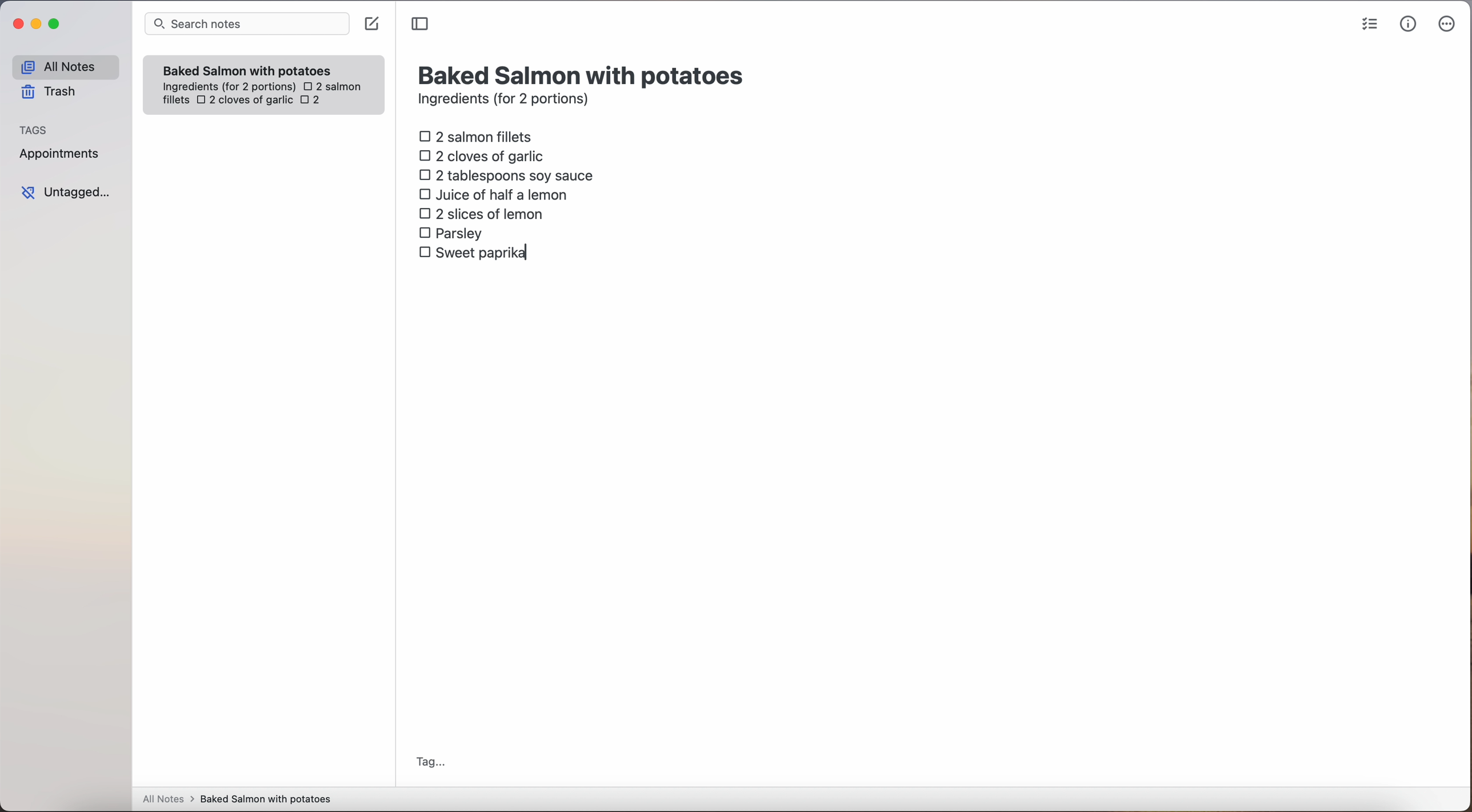  What do you see at coordinates (507, 101) in the screenshot?
I see `ingredients (for 2 portions)` at bounding box center [507, 101].